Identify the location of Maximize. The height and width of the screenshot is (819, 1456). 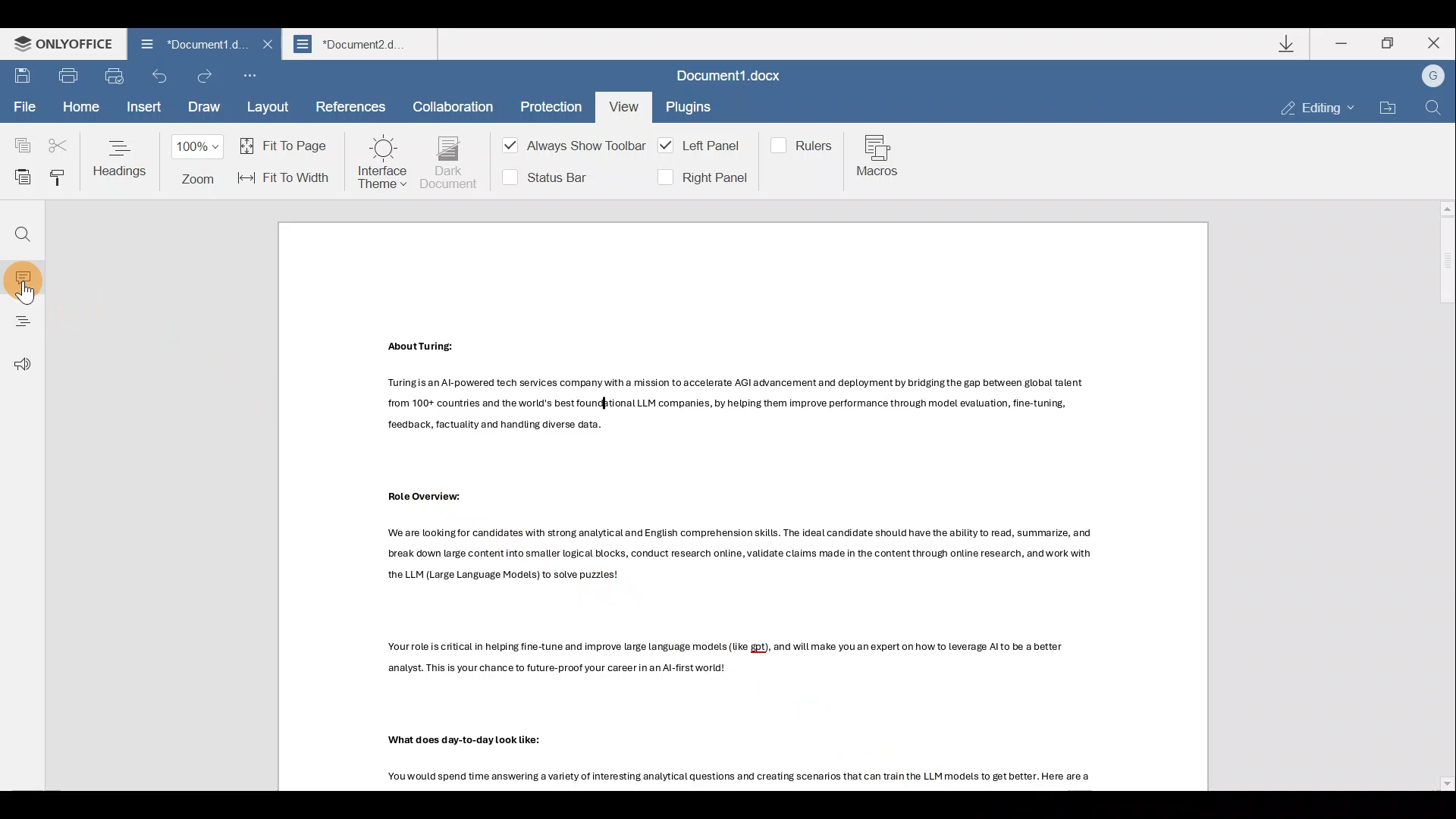
(1391, 43).